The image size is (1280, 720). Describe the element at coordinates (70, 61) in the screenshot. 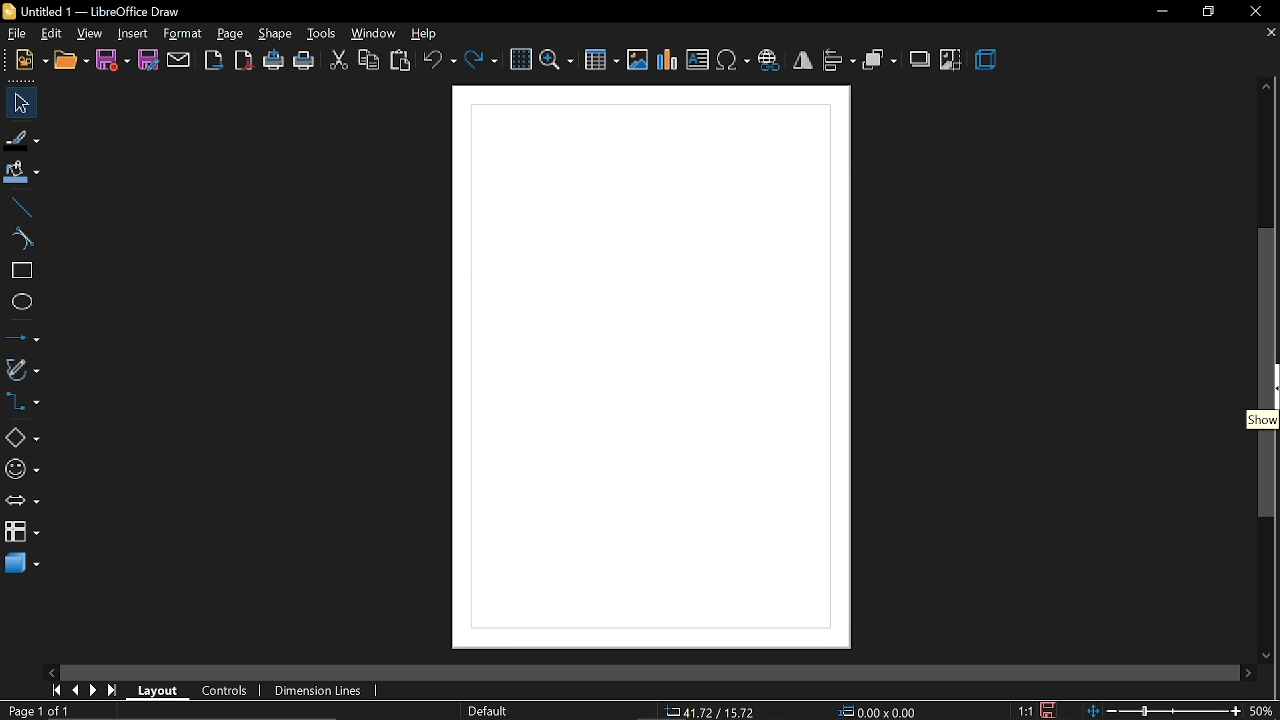

I see `open` at that location.